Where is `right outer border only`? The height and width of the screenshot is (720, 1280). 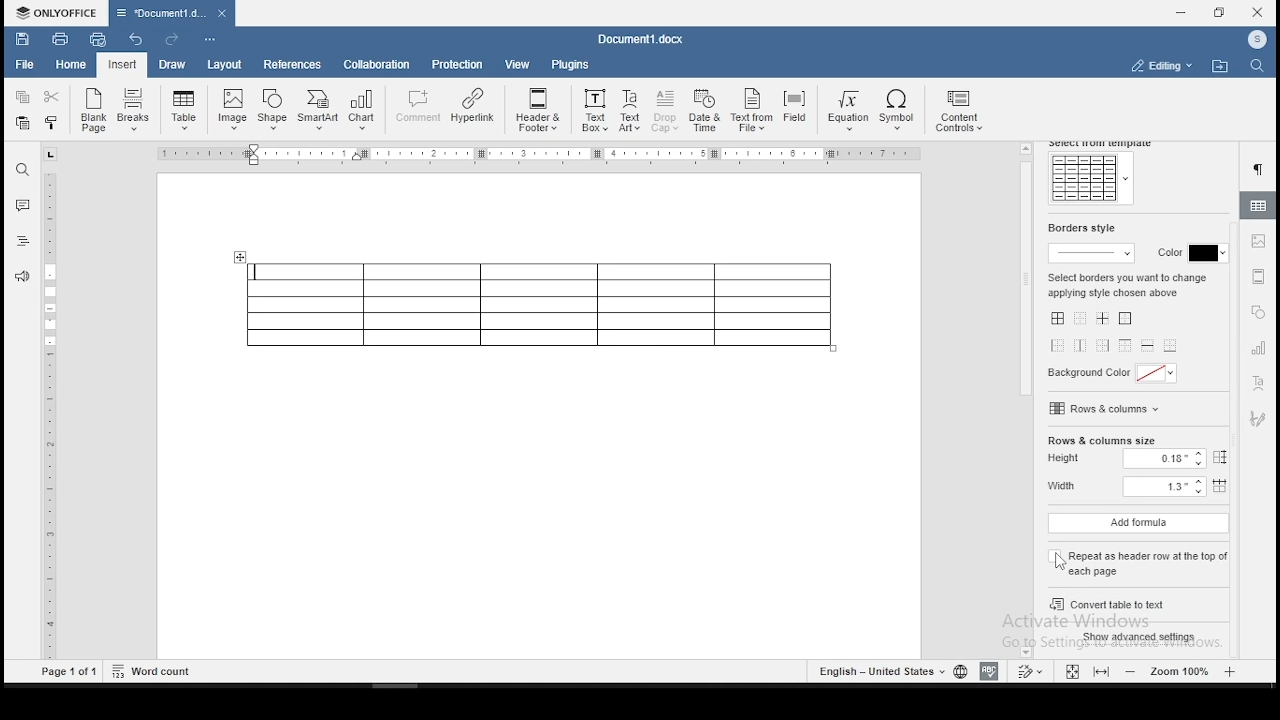 right outer border only is located at coordinates (1101, 345).